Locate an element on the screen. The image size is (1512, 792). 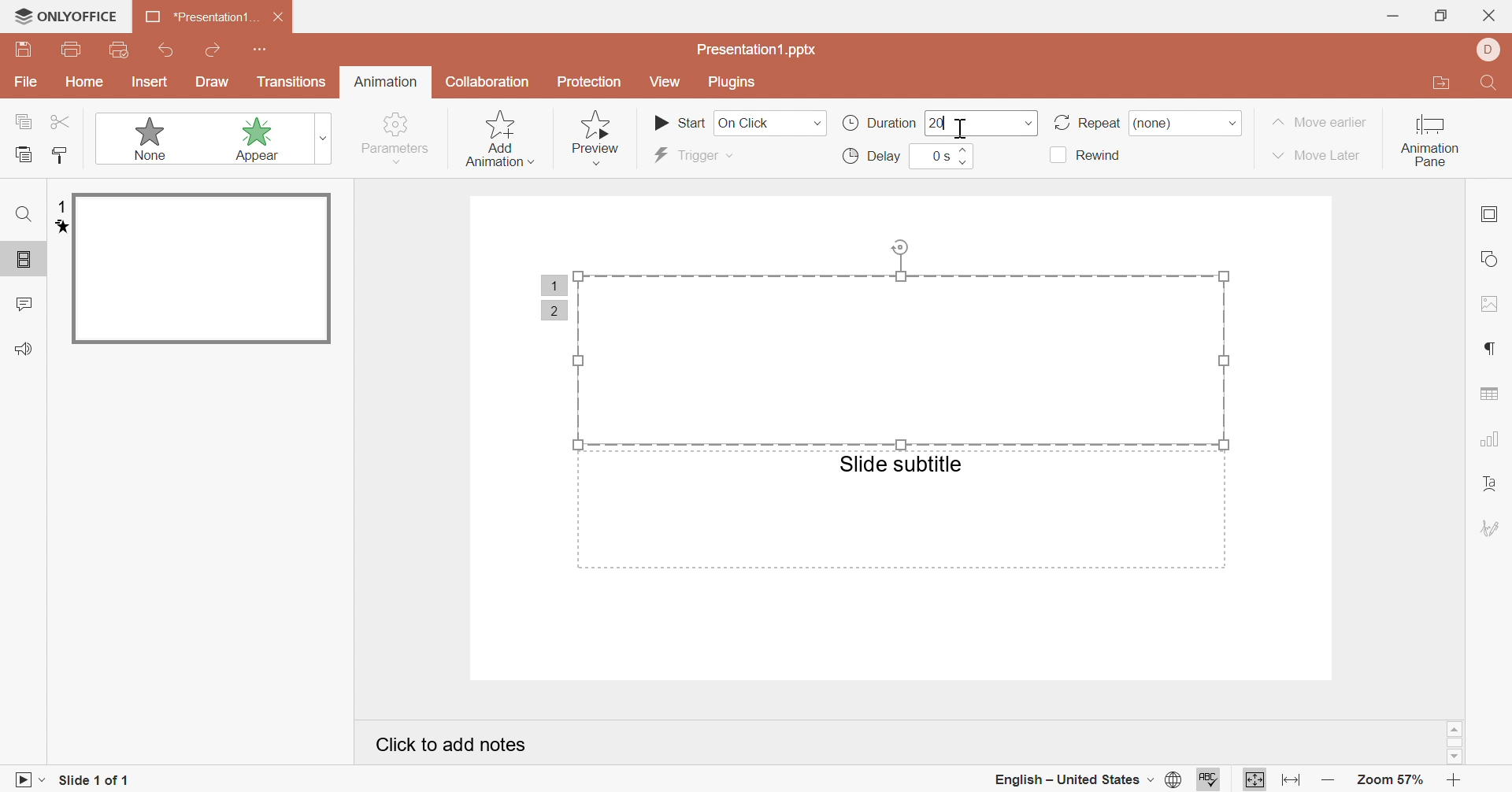
1 is located at coordinates (554, 284).